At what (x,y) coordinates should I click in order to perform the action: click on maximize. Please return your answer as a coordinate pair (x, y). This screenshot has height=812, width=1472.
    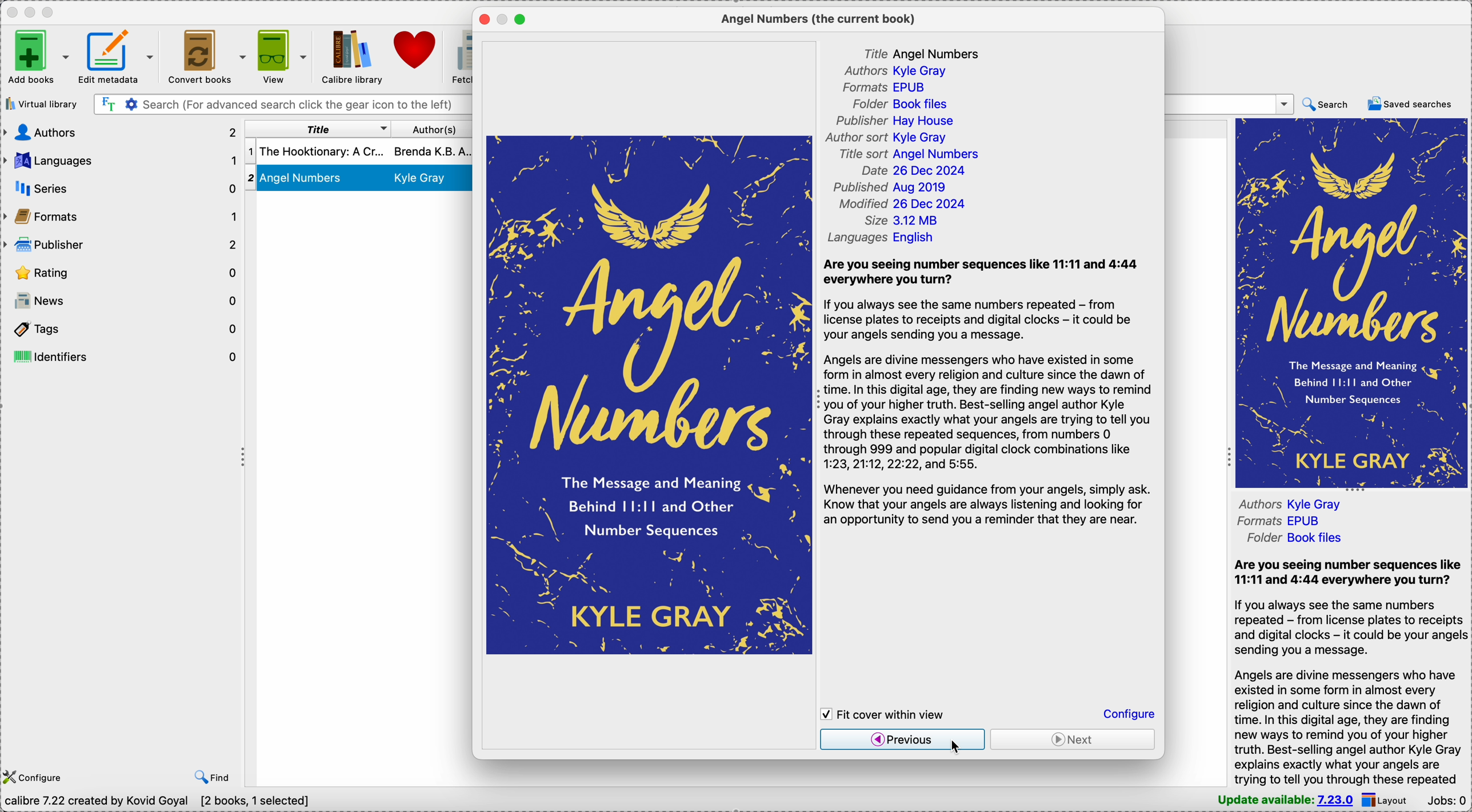
    Looking at the image, I should click on (51, 13).